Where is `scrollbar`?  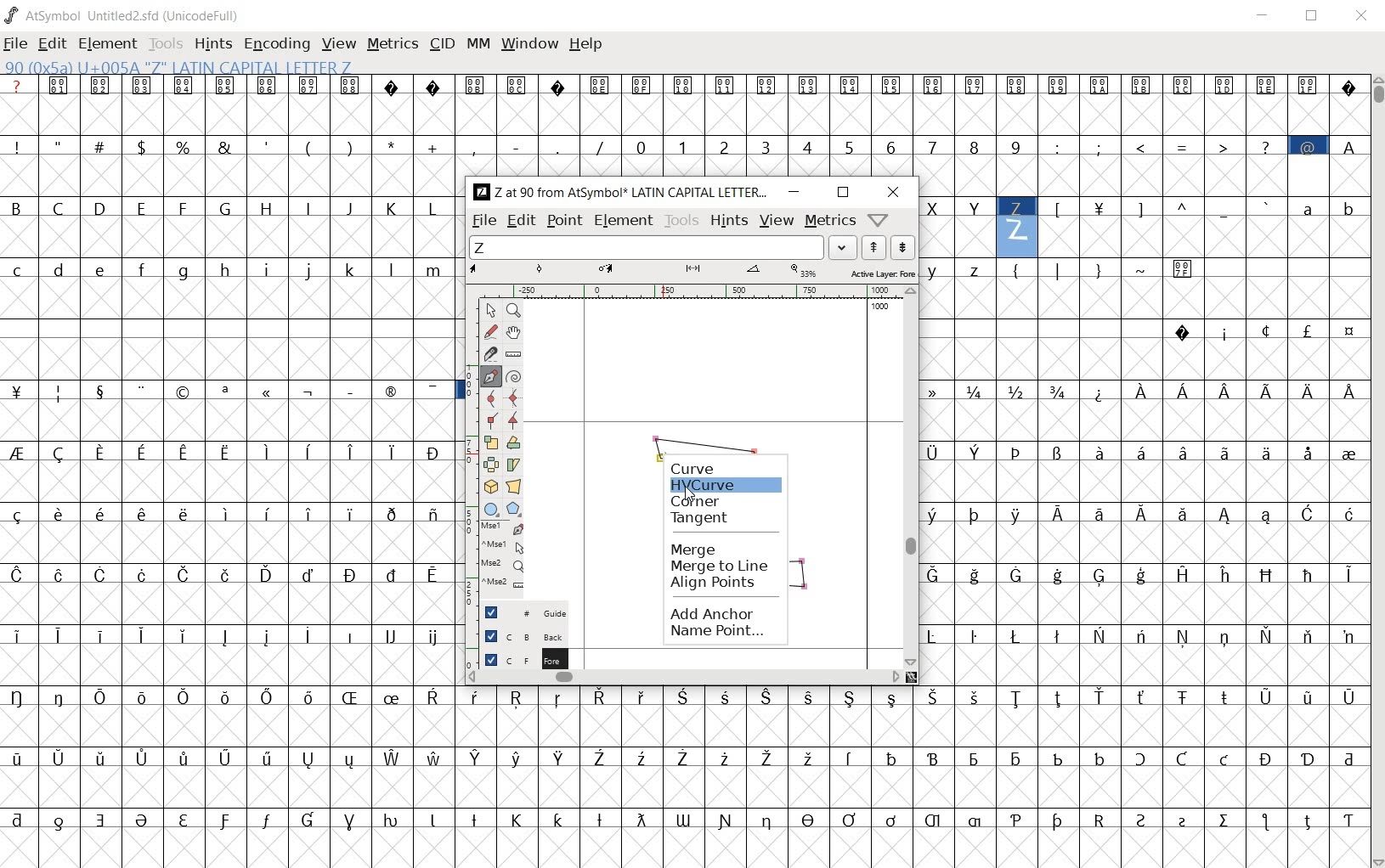 scrollbar is located at coordinates (1377, 470).